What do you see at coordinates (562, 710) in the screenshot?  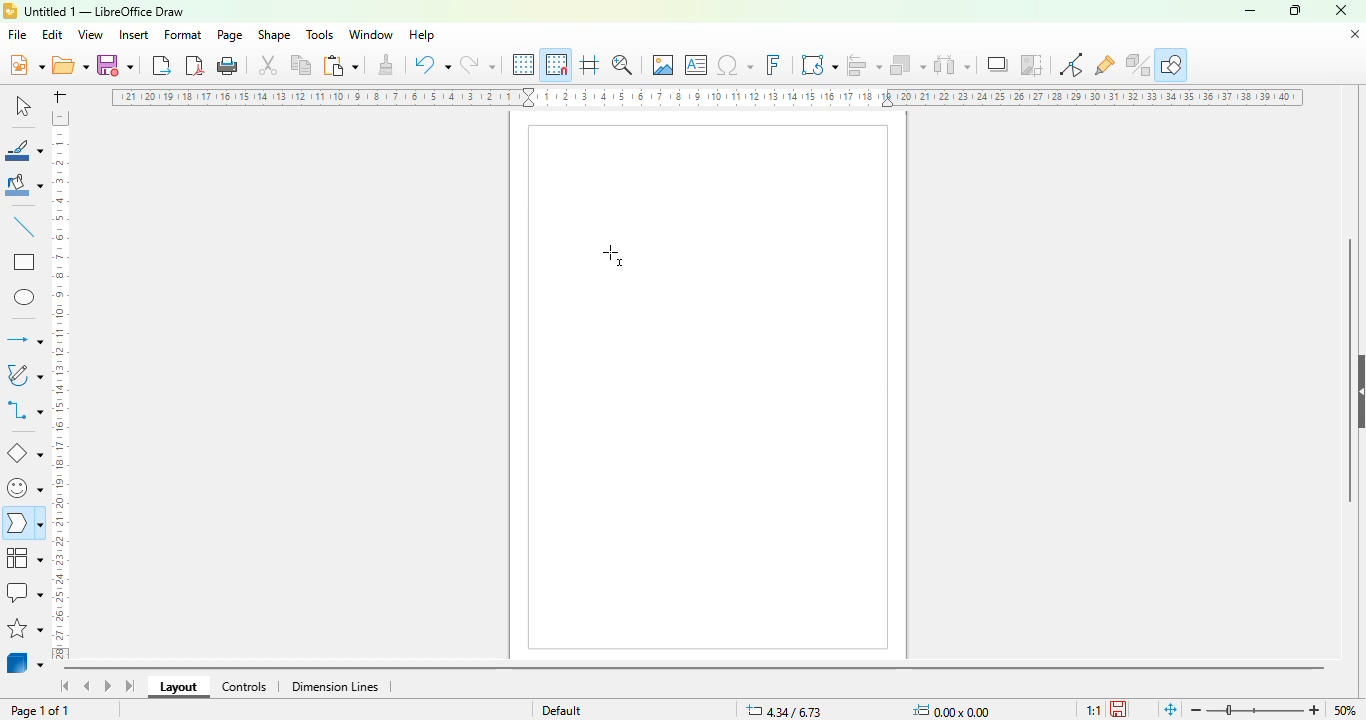 I see `default` at bounding box center [562, 710].